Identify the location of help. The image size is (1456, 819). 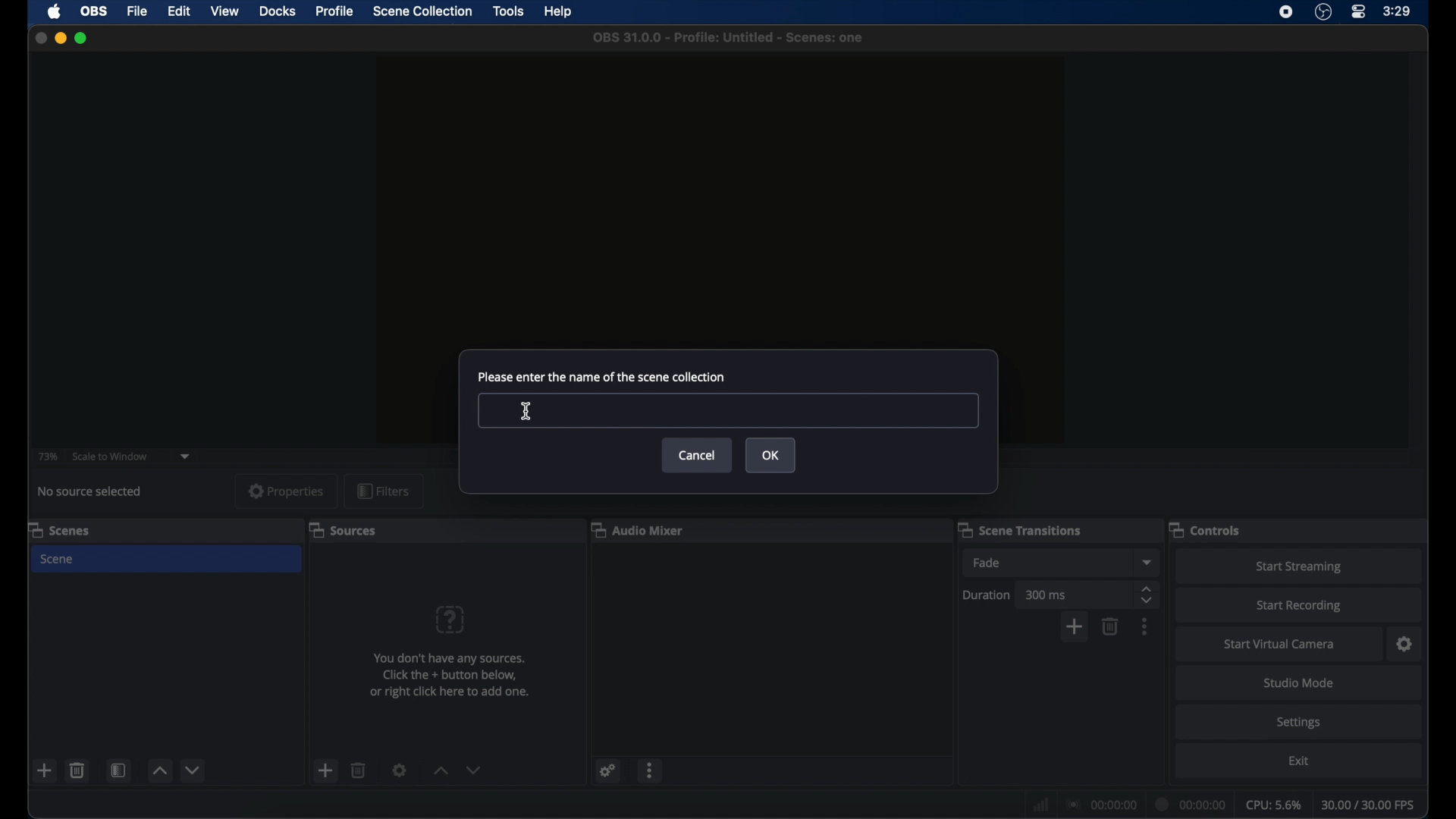
(560, 12).